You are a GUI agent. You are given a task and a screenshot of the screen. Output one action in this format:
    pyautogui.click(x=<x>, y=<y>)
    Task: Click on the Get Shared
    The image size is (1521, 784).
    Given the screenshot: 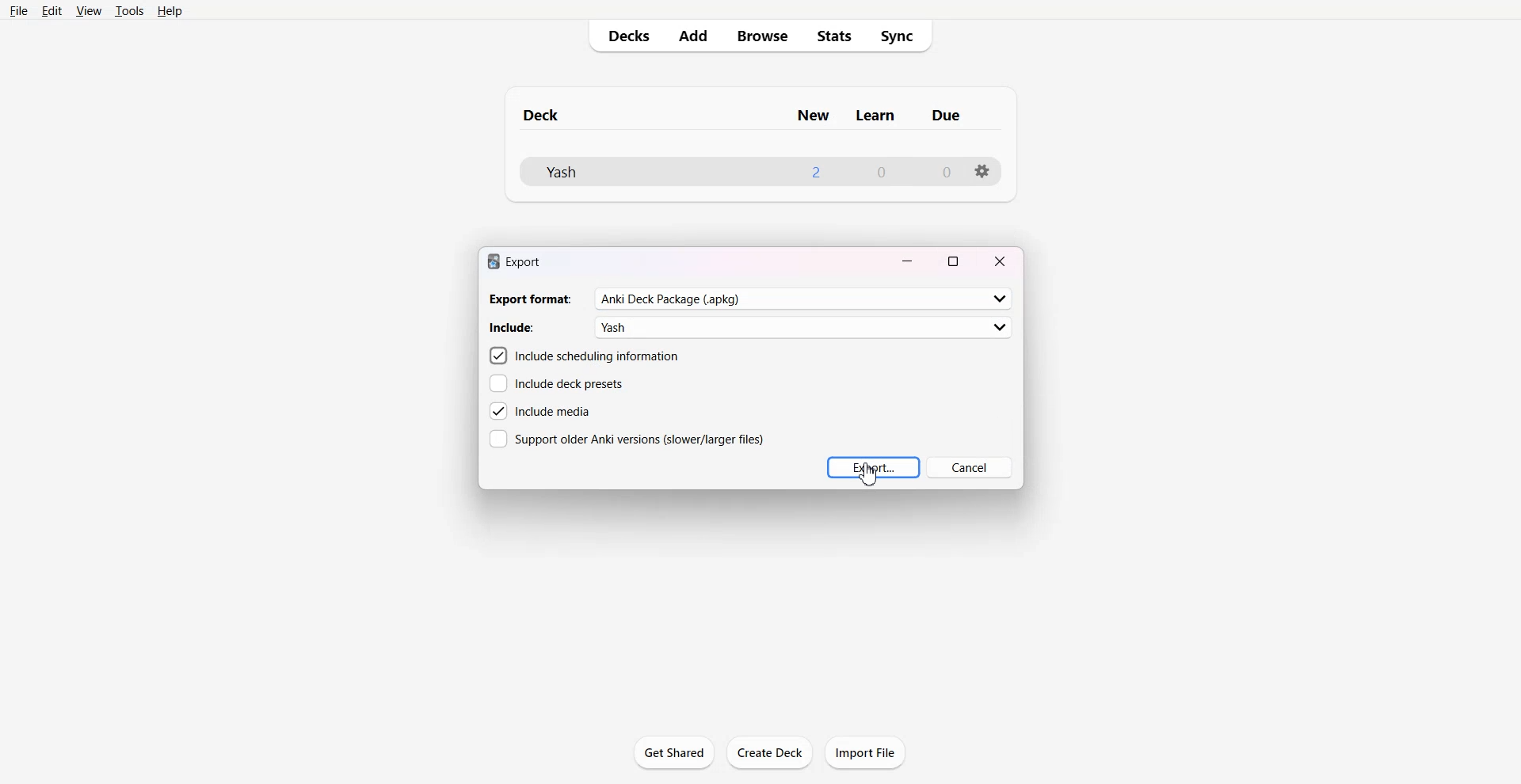 What is the action you would take?
    pyautogui.click(x=674, y=752)
    